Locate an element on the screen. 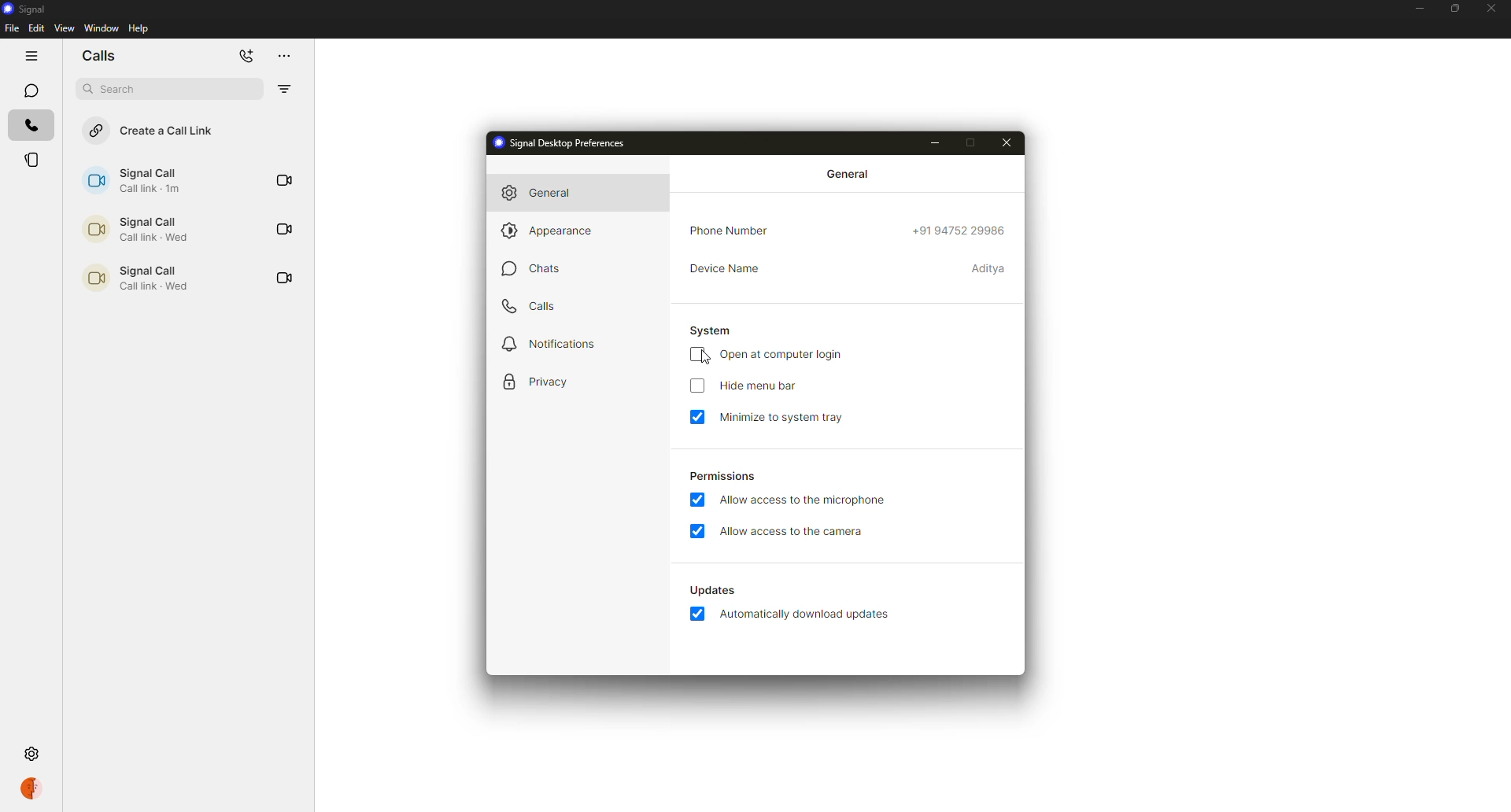 The height and width of the screenshot is (812, 1511). hide menu bar is located at coordinates (760, 386).